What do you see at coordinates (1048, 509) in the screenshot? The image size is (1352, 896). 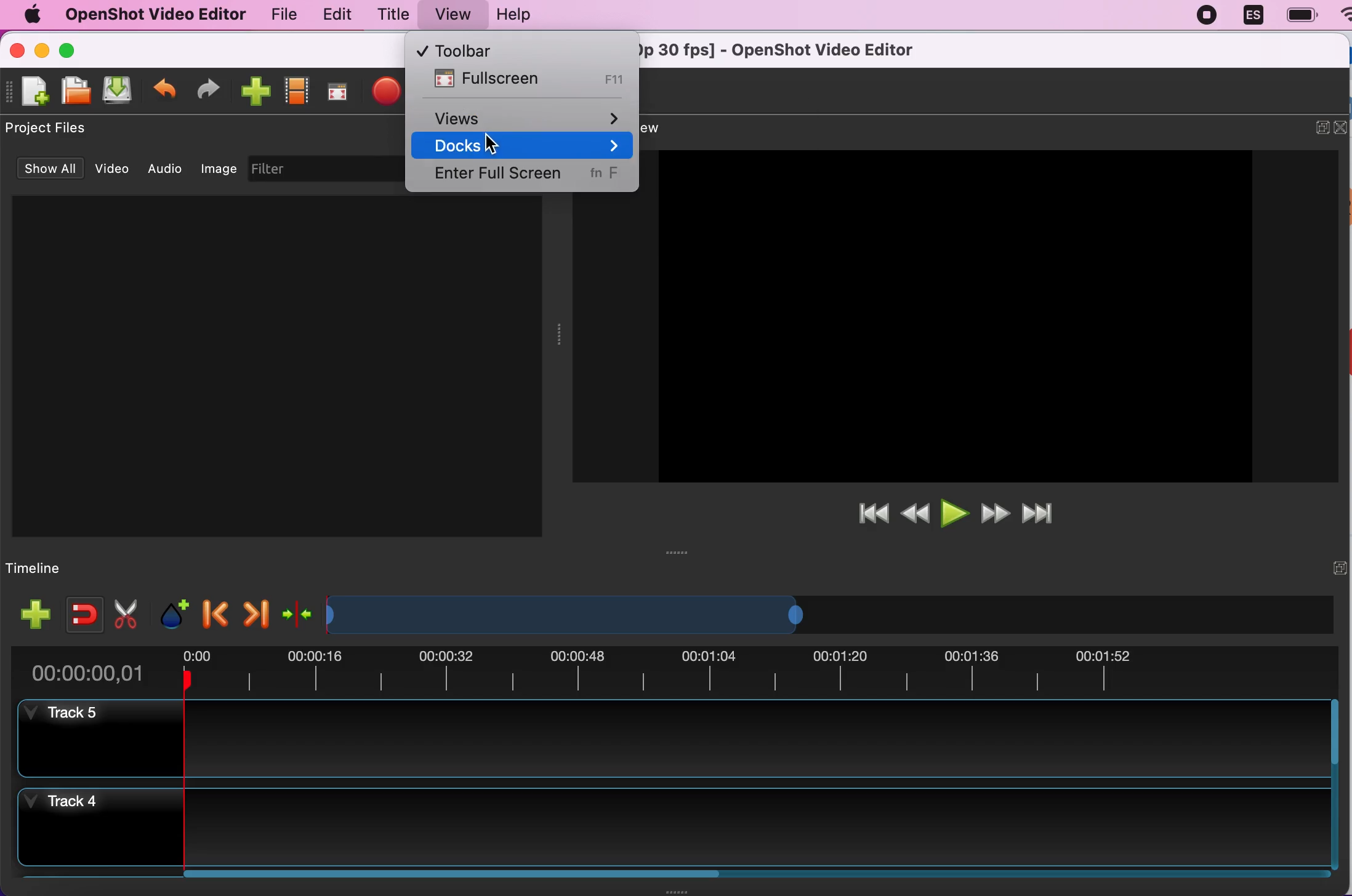 I see `jump to end` at bounding box center [1048, 509].